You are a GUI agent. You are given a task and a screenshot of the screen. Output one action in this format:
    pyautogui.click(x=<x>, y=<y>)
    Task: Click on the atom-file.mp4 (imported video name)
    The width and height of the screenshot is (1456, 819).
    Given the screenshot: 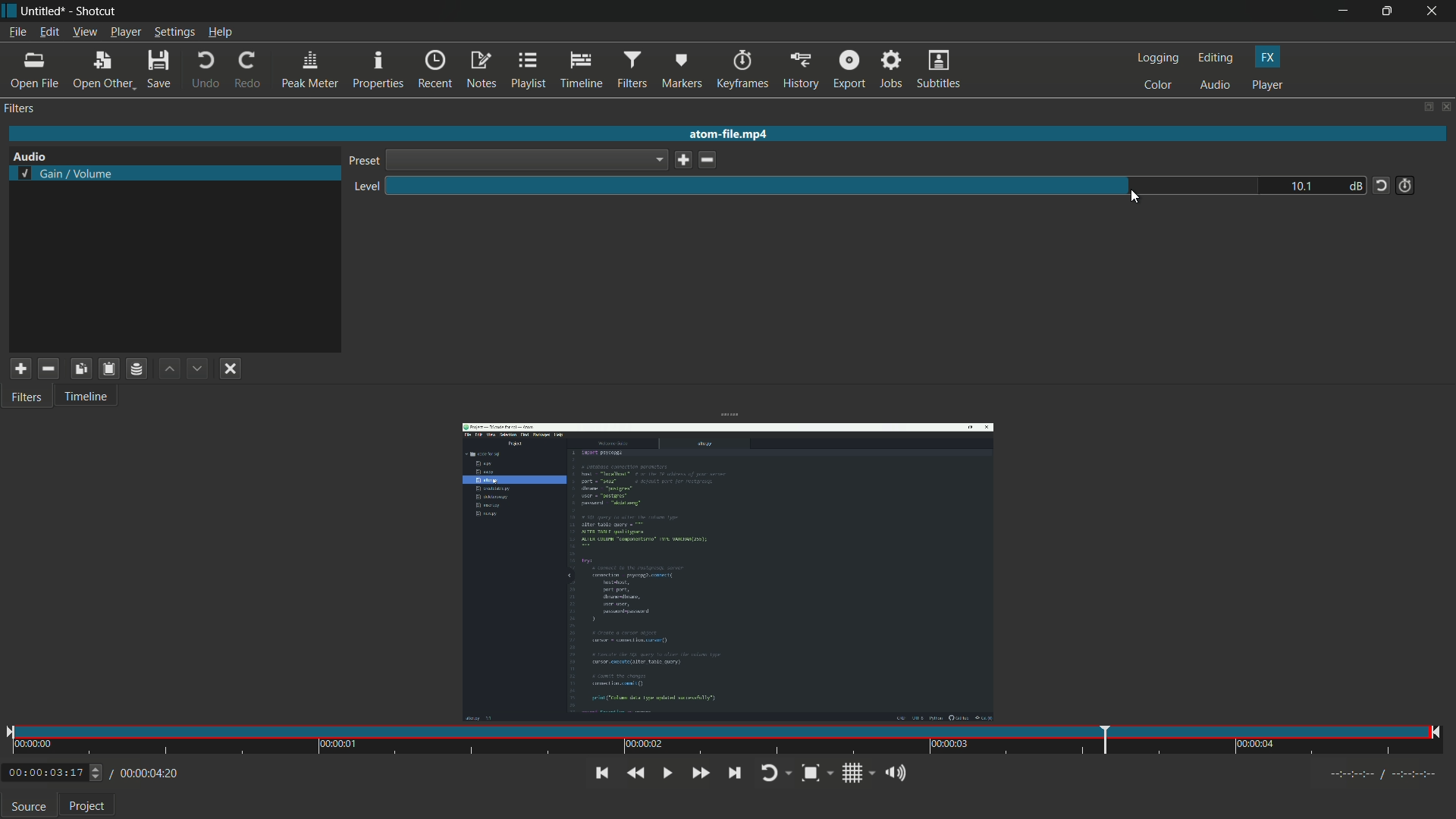 What is the action you would take?
    pyautogui.click(x=732, y=135)
    